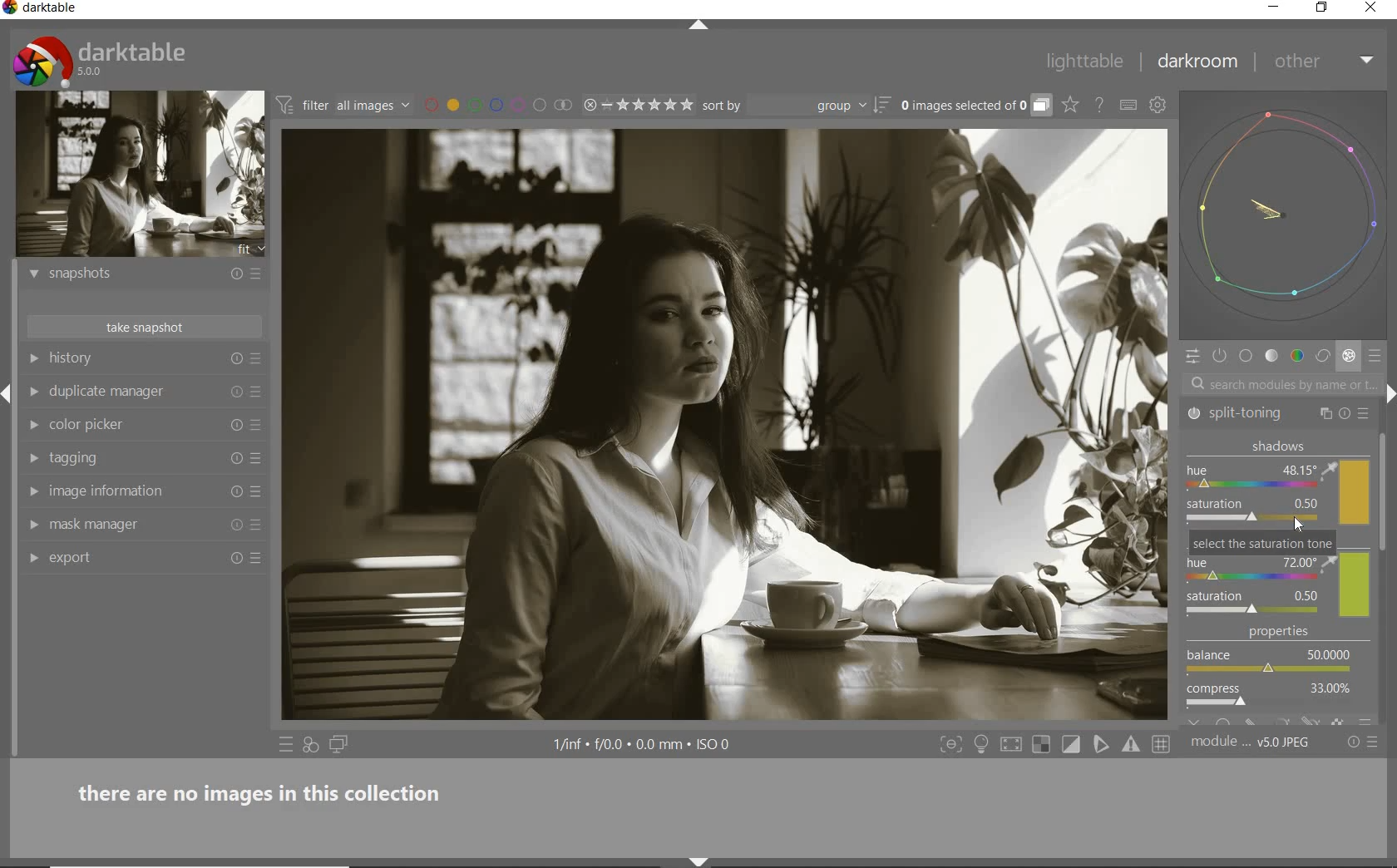 This screenshot has height=868, width=1397. I want to click on darkroom, so click(1198, 65).